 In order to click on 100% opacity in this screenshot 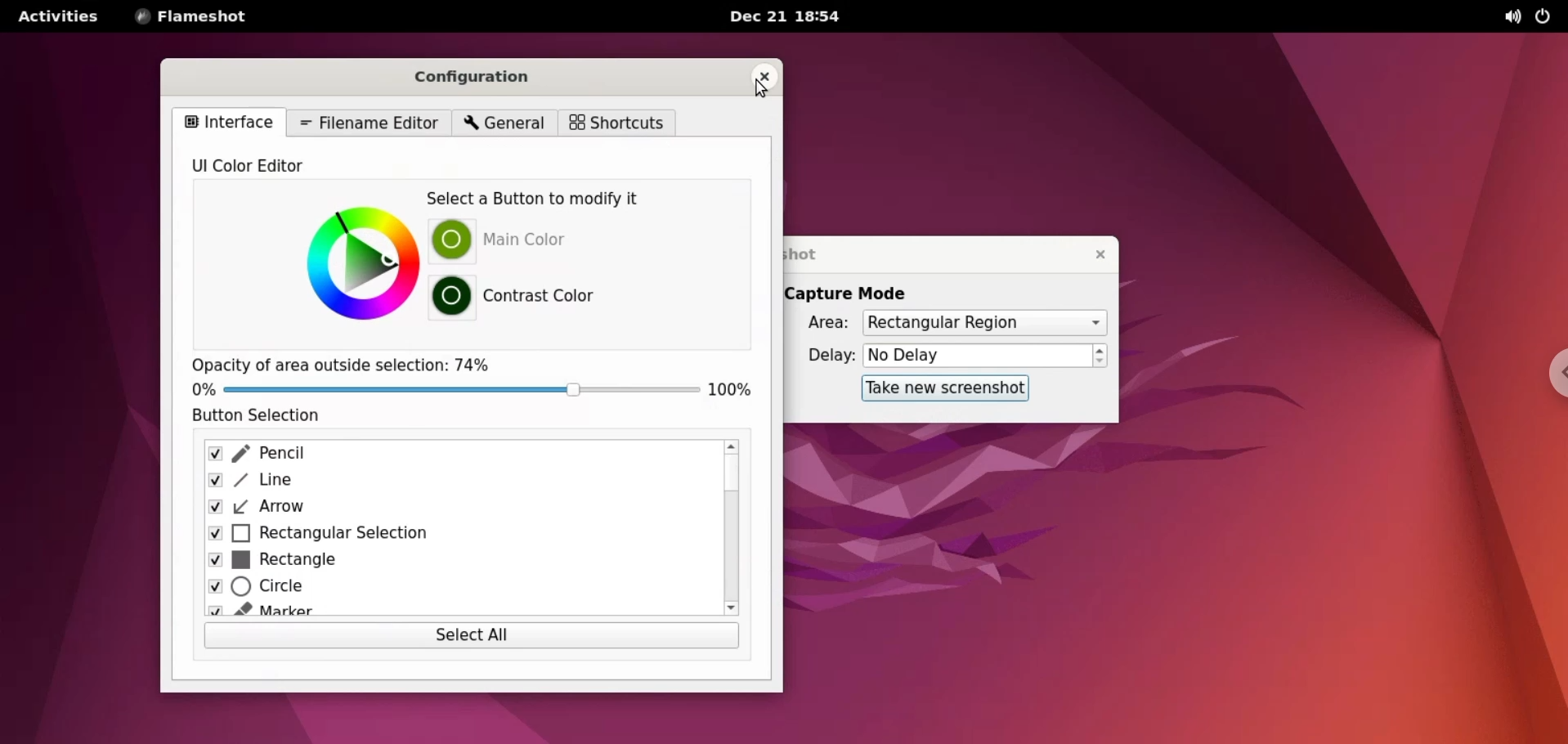, I will do `click(733, 390)`.